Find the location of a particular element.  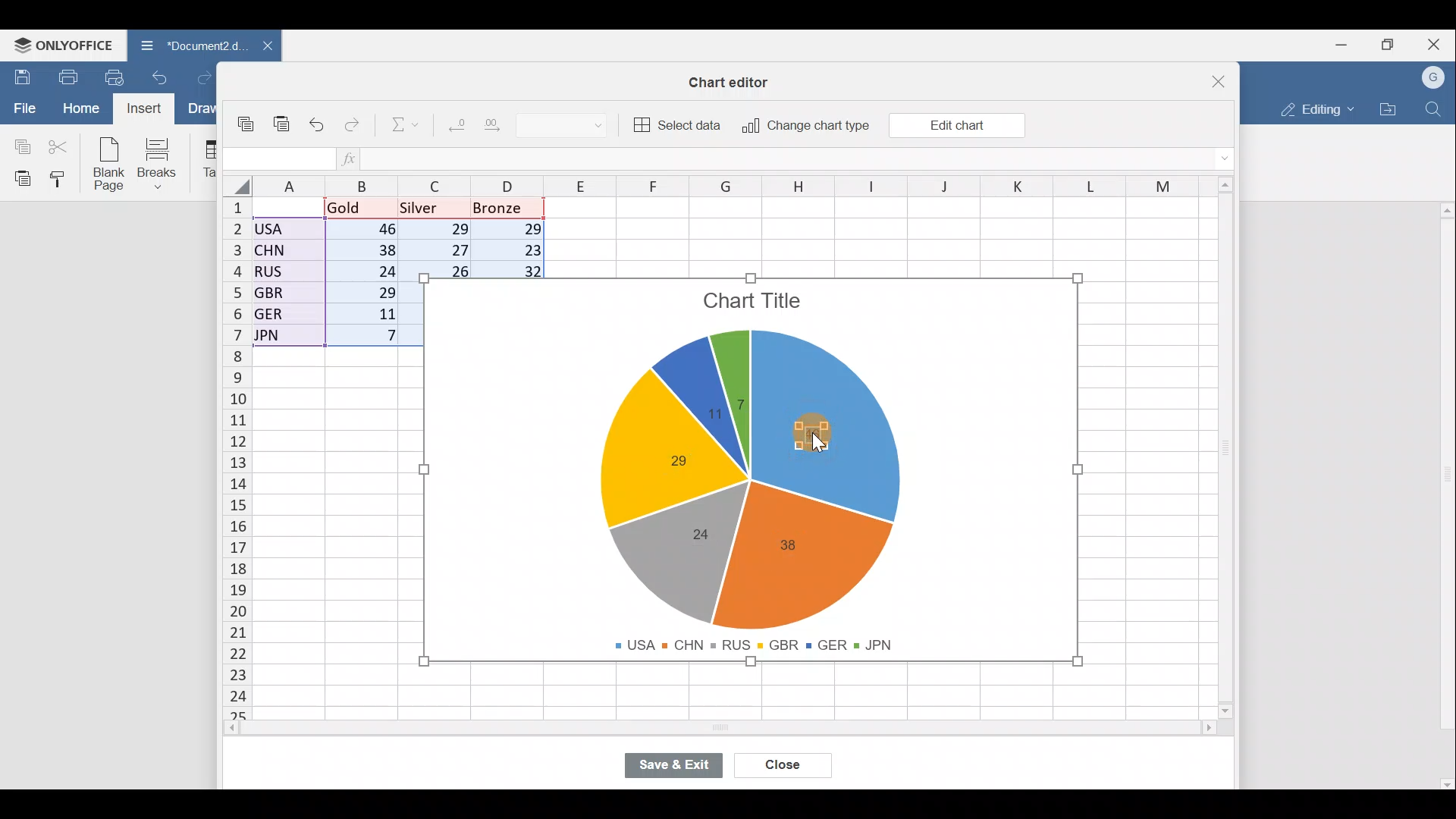

Data is located at coordinates (315, 272).